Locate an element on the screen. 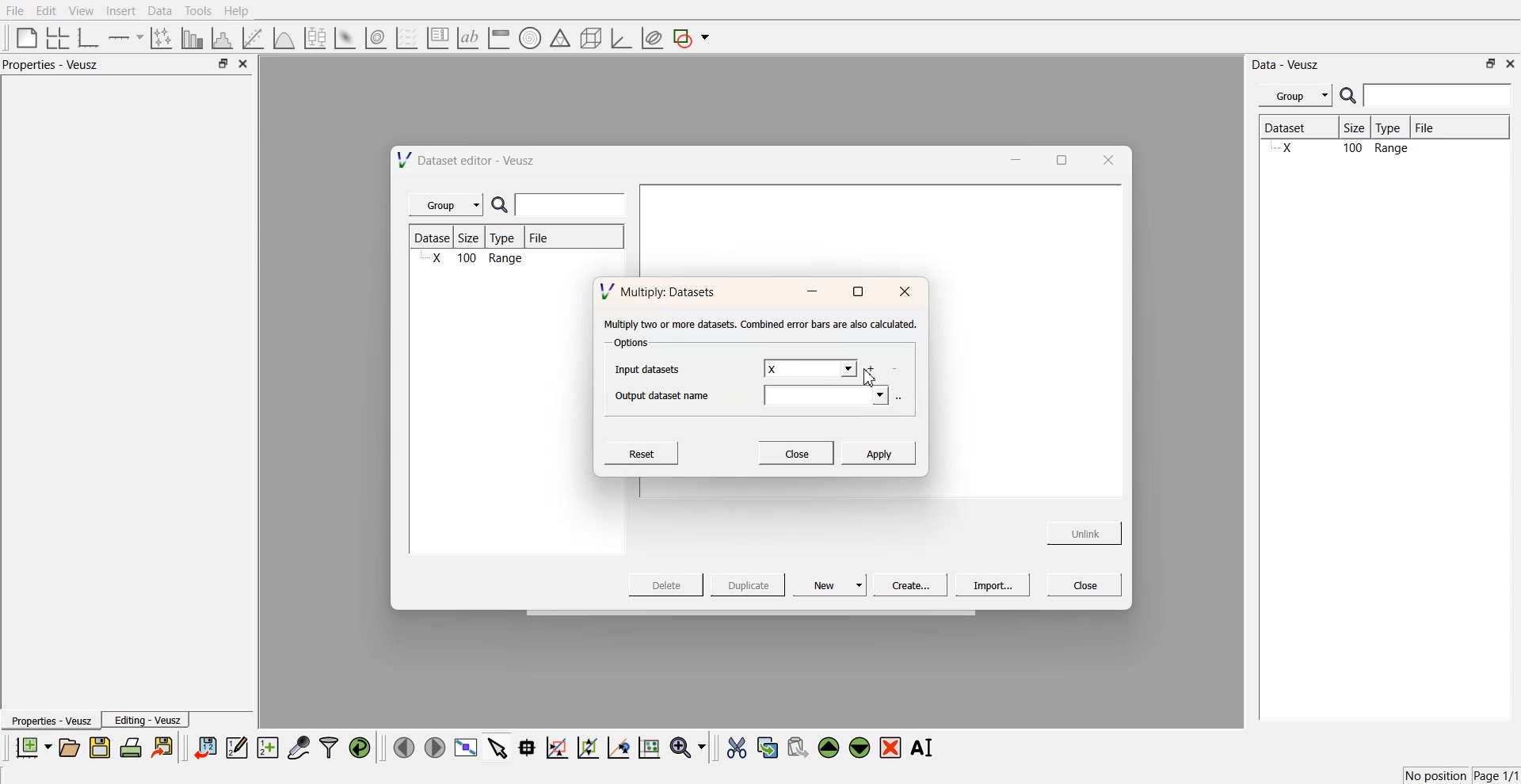 This screenshot has height=784, width=1521. Properties - Veusz is located at coordinates (55, 65).